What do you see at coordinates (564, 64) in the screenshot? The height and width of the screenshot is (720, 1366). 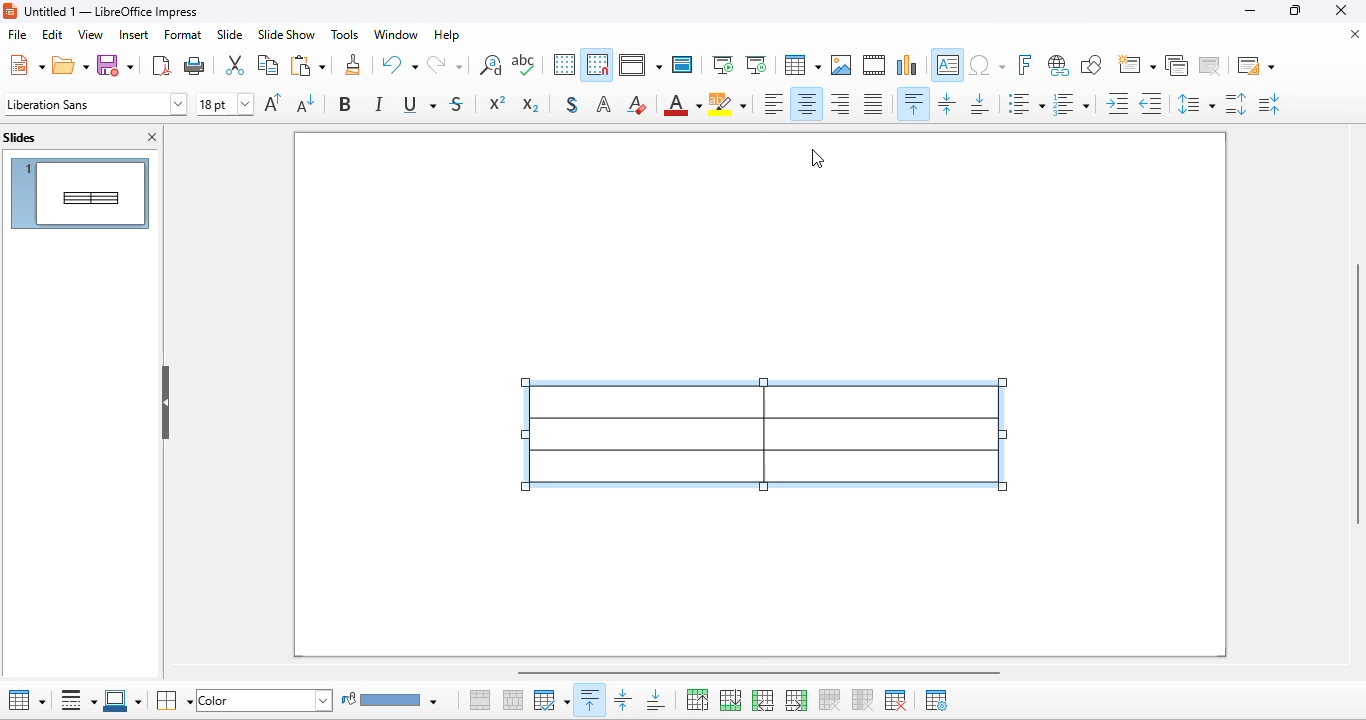 I see `display grid` at bounding box center [564, 64].